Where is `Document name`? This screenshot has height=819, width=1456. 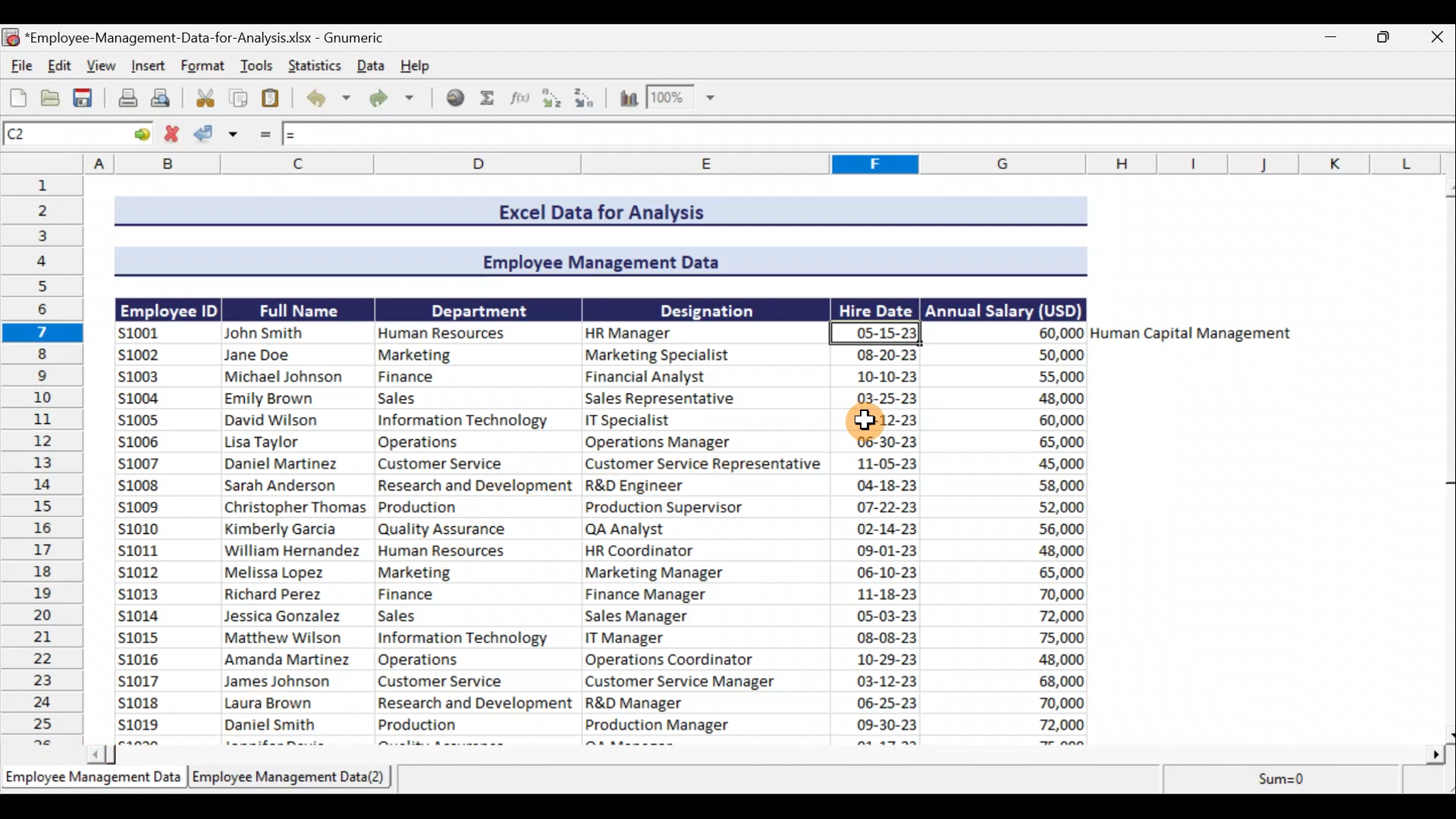
Document name is located at coordinates (194, 36).